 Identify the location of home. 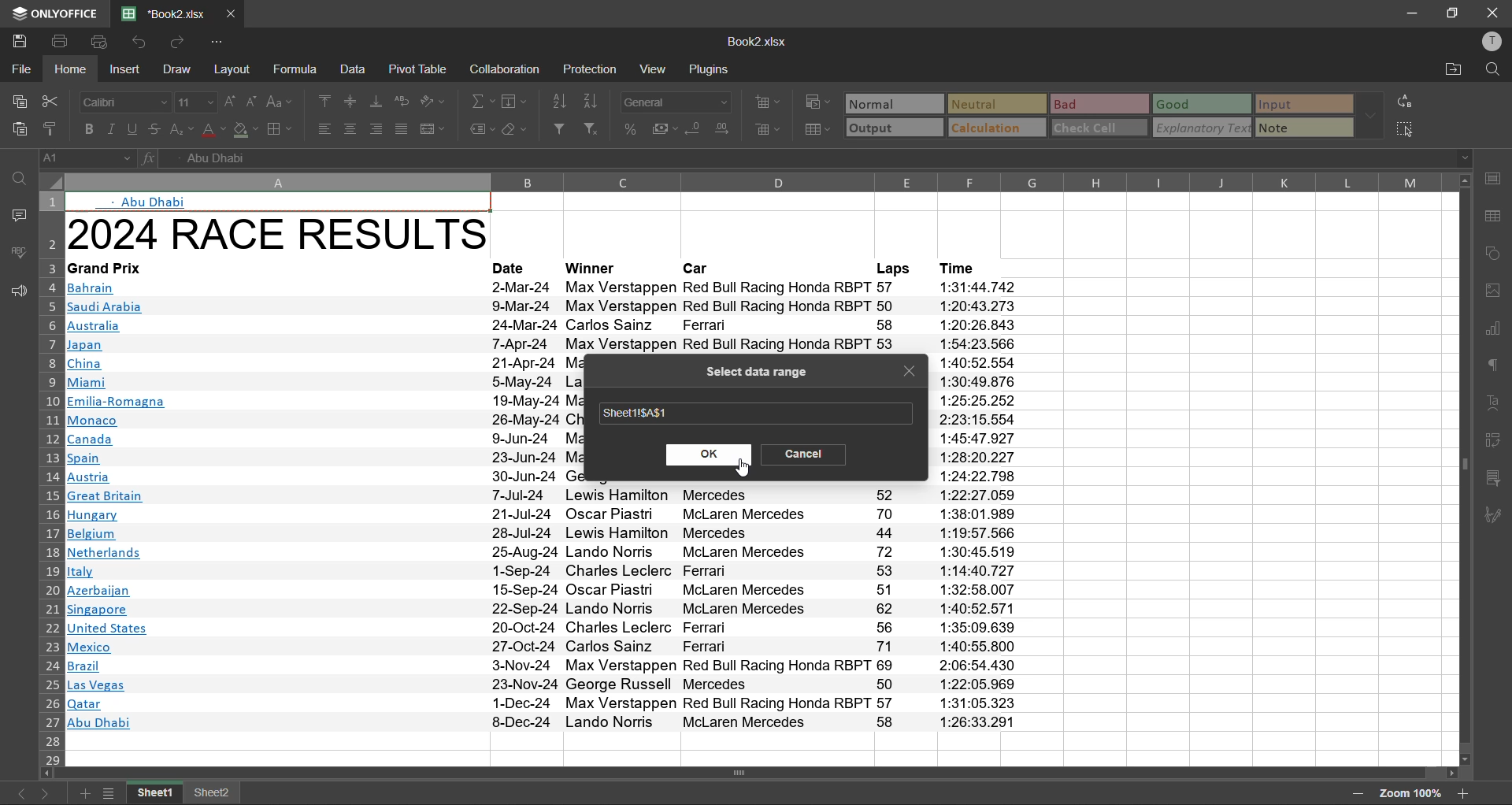
(66, 69).